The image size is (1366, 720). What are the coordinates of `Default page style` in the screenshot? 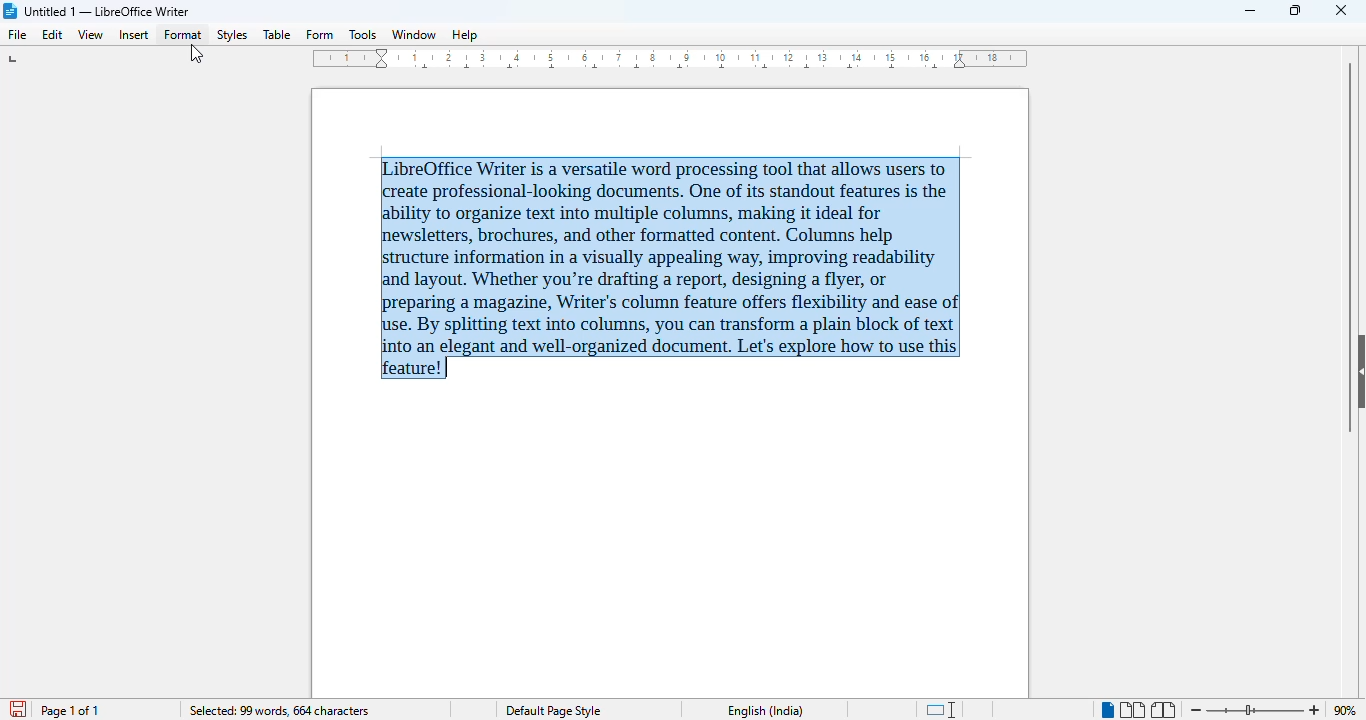 It's located at (557, 711).